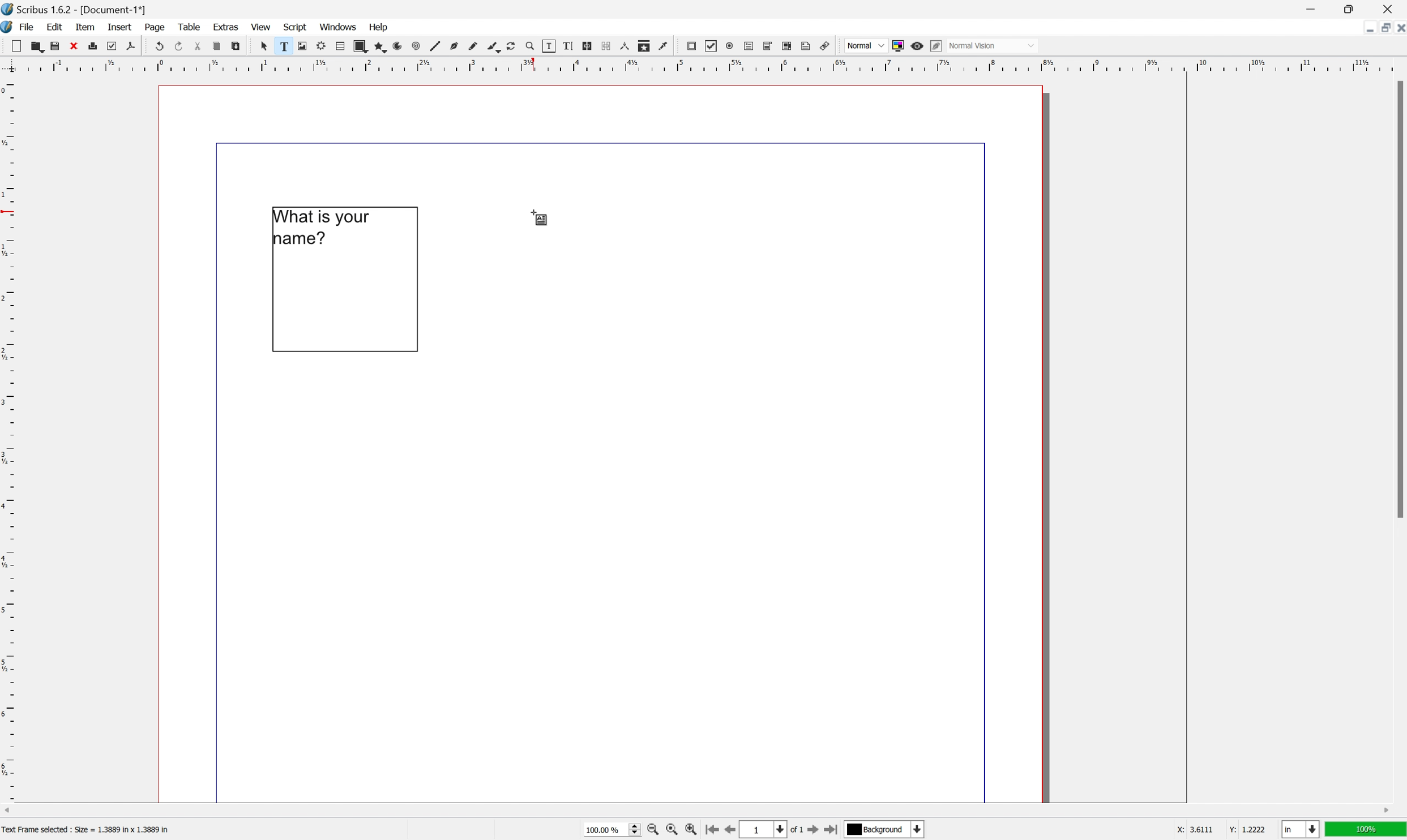 Image resolution: width=1407 pixels, height=840 pixels. Describe the element at coordinates (236, 46) in the screenshot. I see `paste` at that location.